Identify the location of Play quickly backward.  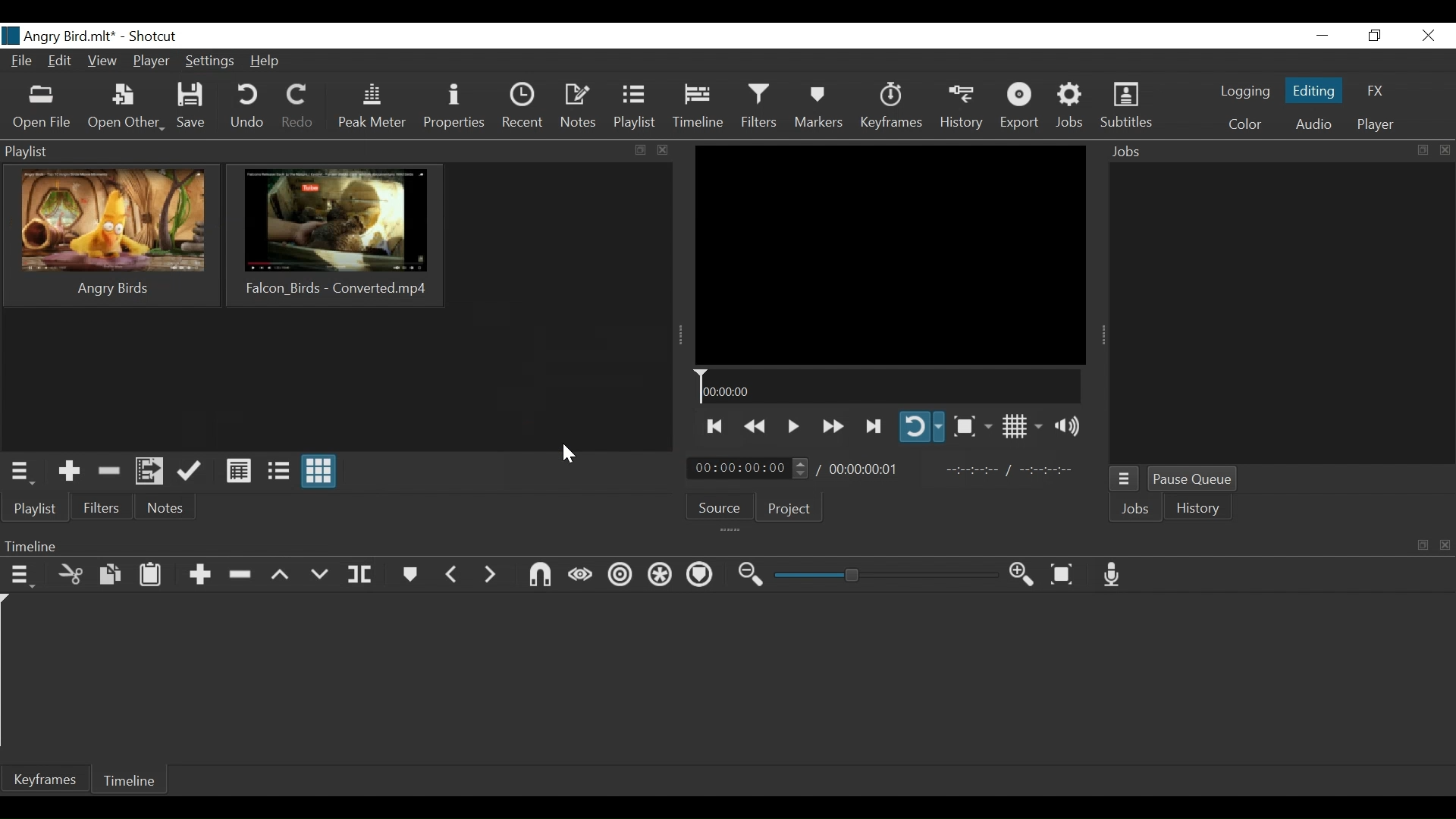
(756, 426).